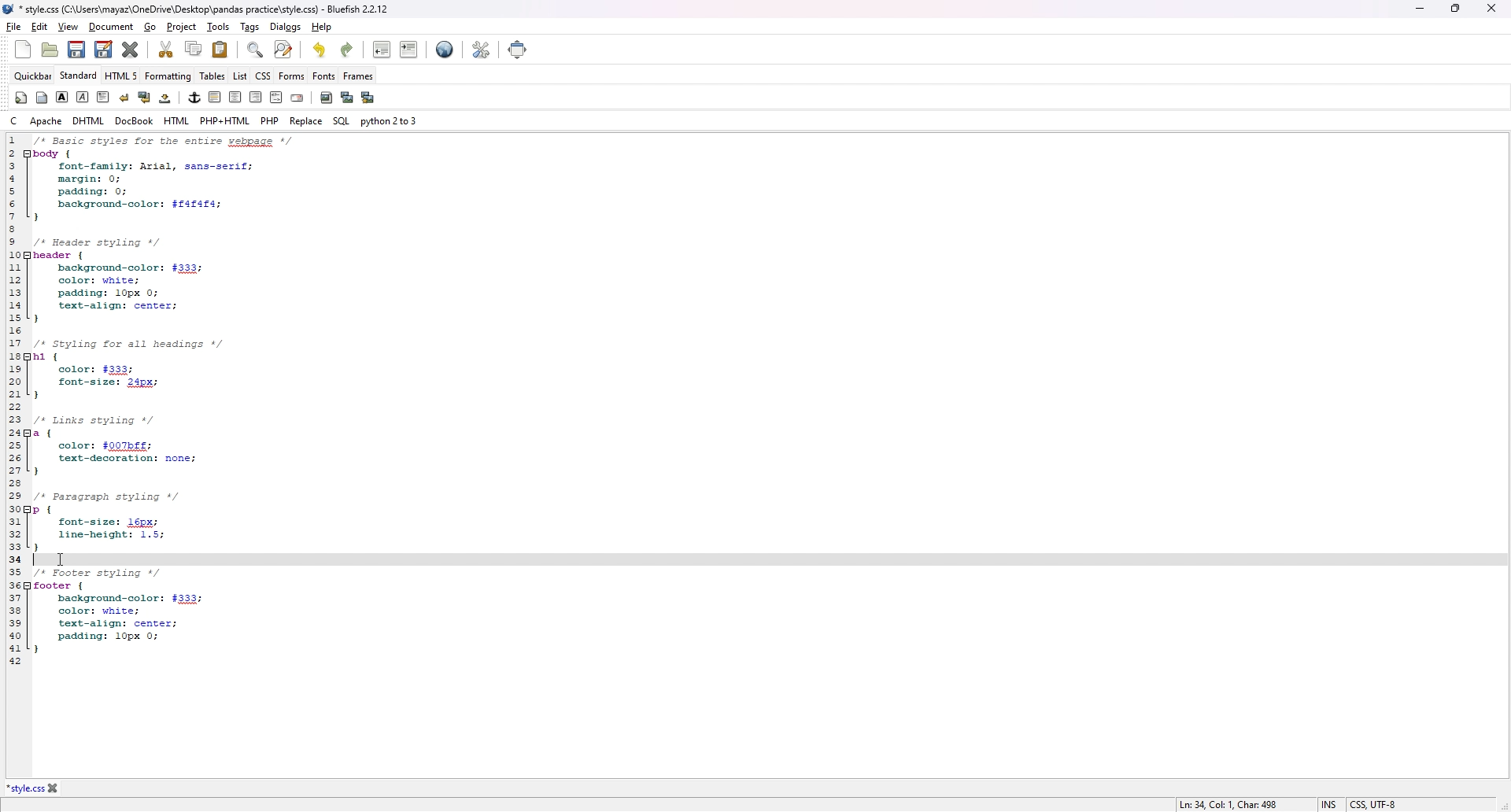 This screenshot has height=812, width=1511. Describe the element at coordinates (90, 120) in the screenshot. I see `dhtml` at that location.